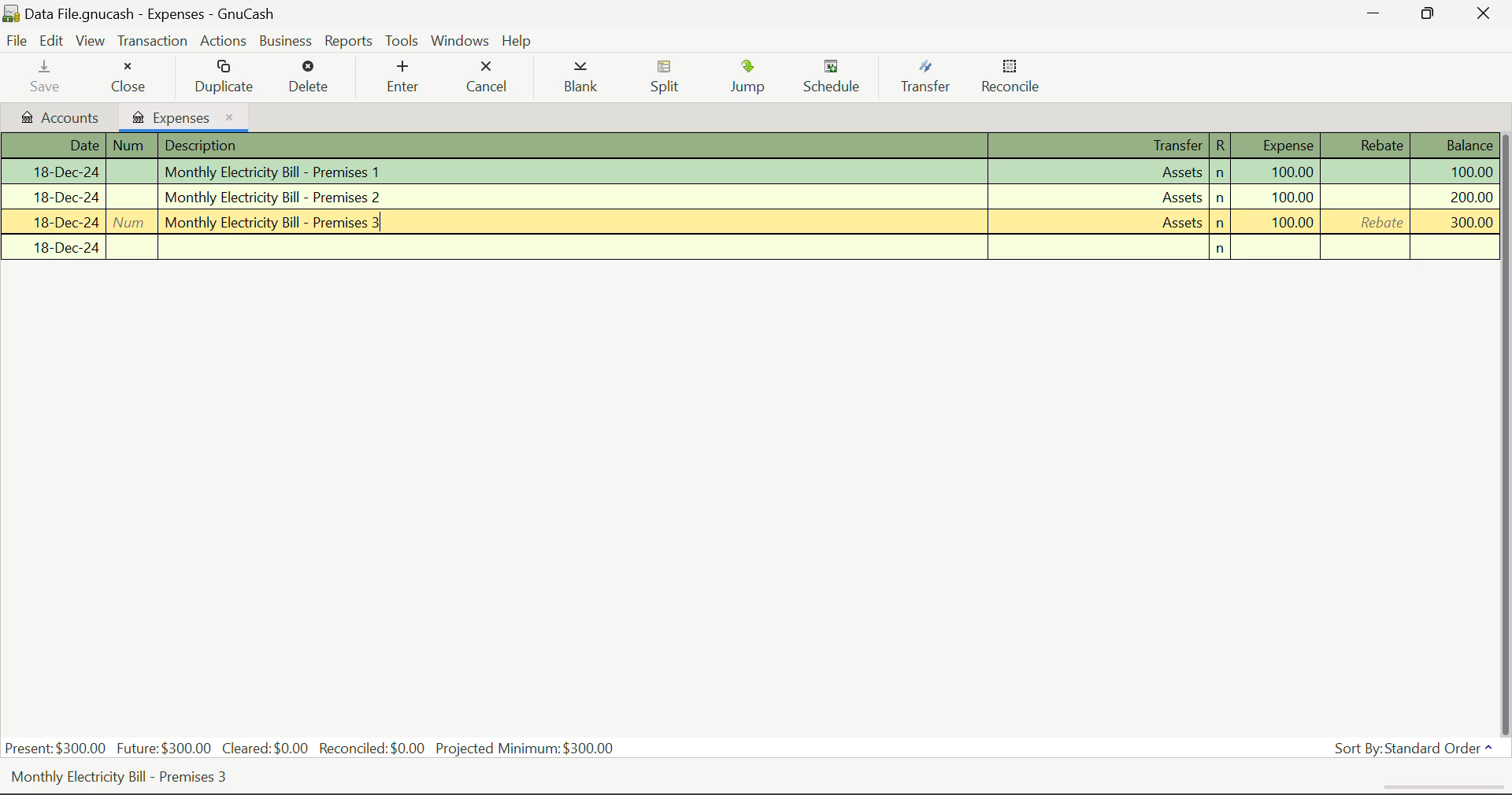 The height and width of the screenshot is (795, 1512). Describe the element at coordinates (313, 79) in the screenshot. I see `Delete` at that location.